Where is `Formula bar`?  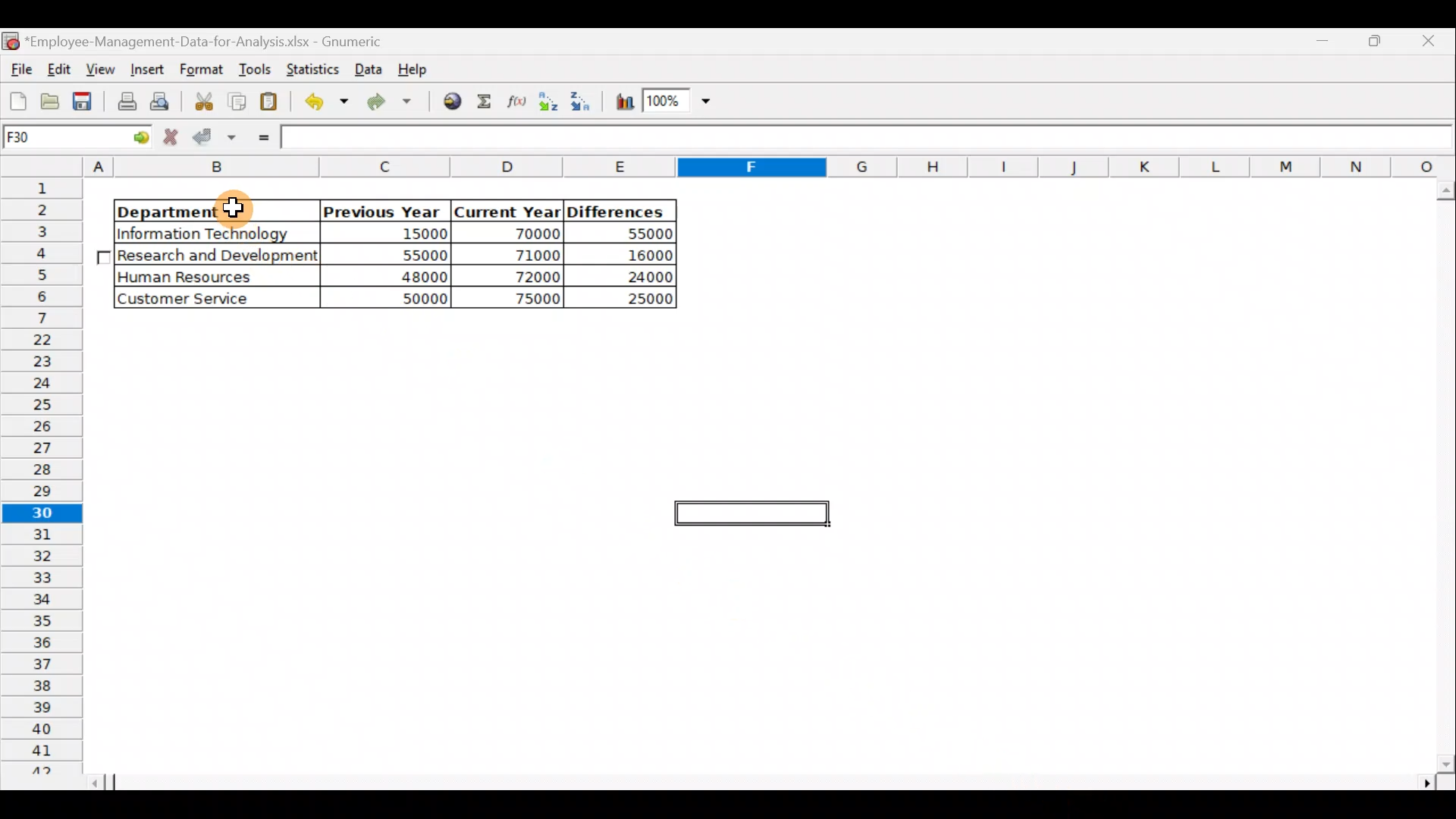
Formula bar is located at coordinates (868, 137).